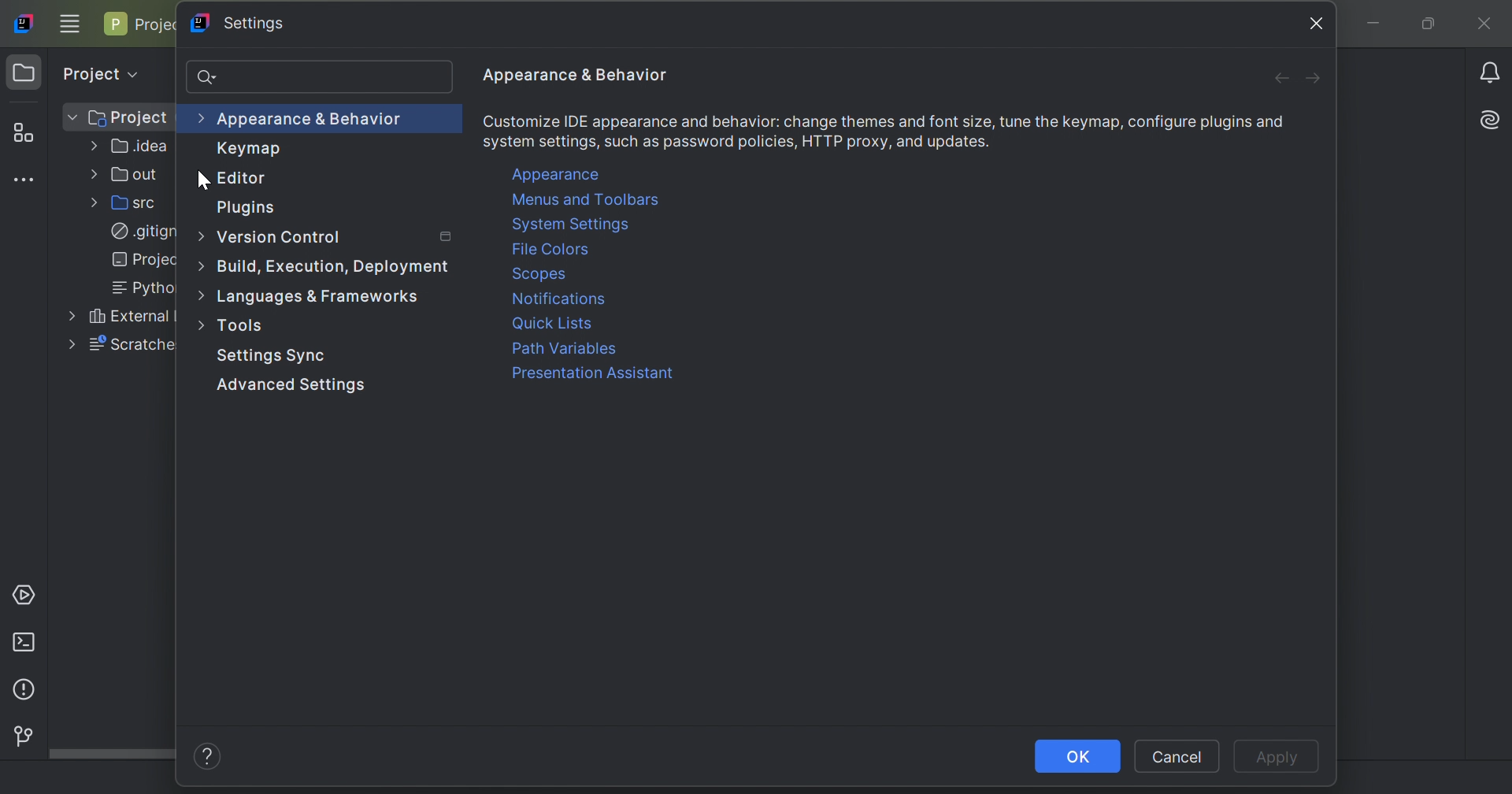 The height and width of the screenshot is (794, 1512). What do you see at coordinates (558, 175) in the screenshot?
I see `Appearance` at bounding box center [558, 175].